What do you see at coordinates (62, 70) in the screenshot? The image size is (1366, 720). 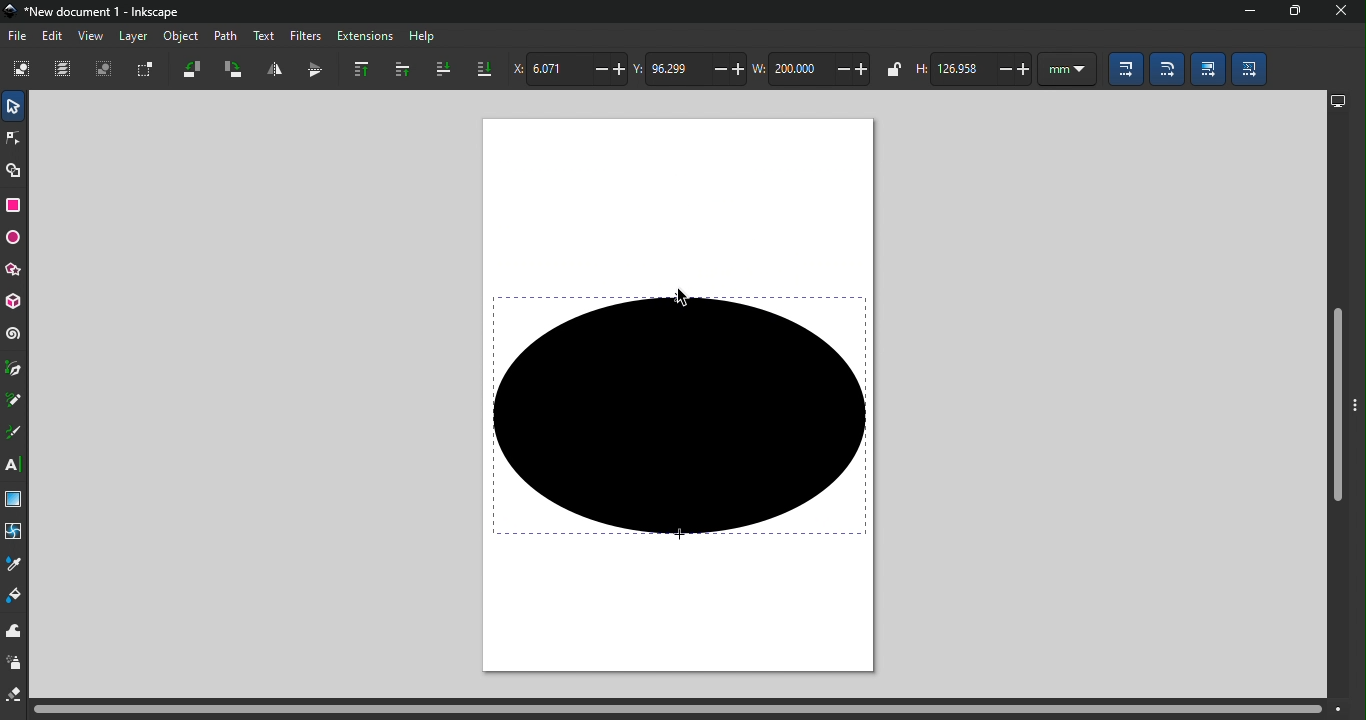 I see `Select all in all layers` at bounding box center [62, 70].